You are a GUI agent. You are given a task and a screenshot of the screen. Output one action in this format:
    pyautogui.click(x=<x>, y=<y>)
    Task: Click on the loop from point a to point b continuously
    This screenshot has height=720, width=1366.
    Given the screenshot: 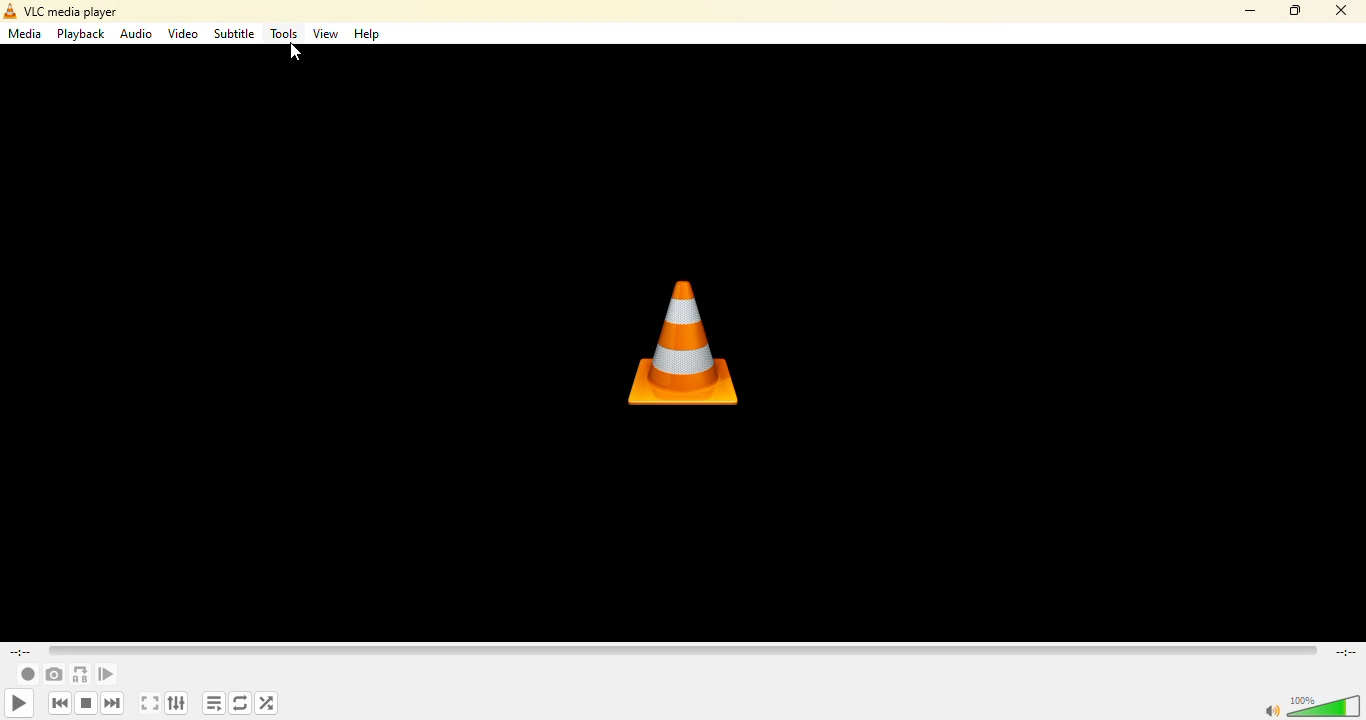 What is the action you would take?
    pyautogui.click(x=79, y=673)
    